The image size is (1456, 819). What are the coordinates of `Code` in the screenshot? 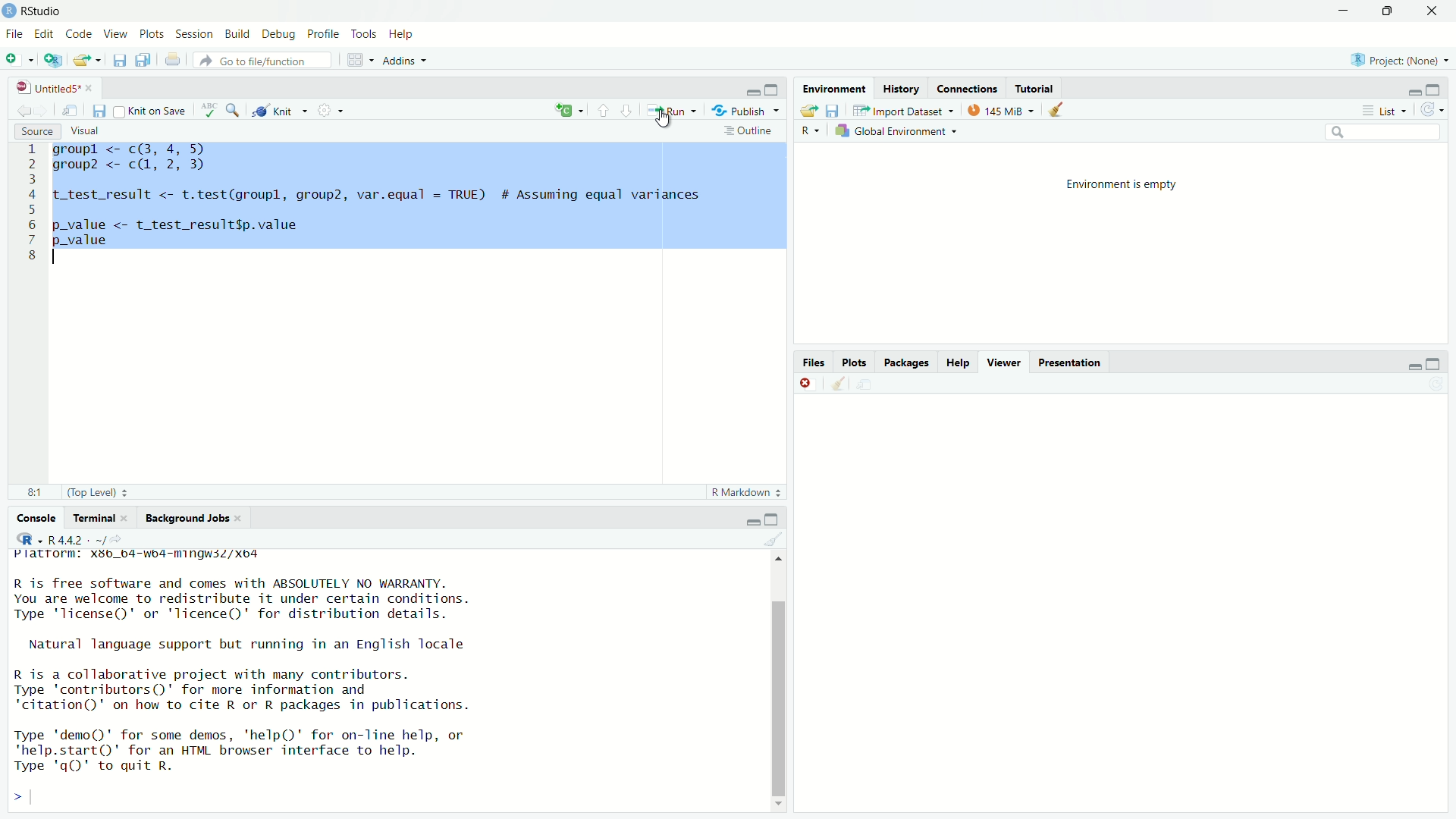 It's located at (79, 32).